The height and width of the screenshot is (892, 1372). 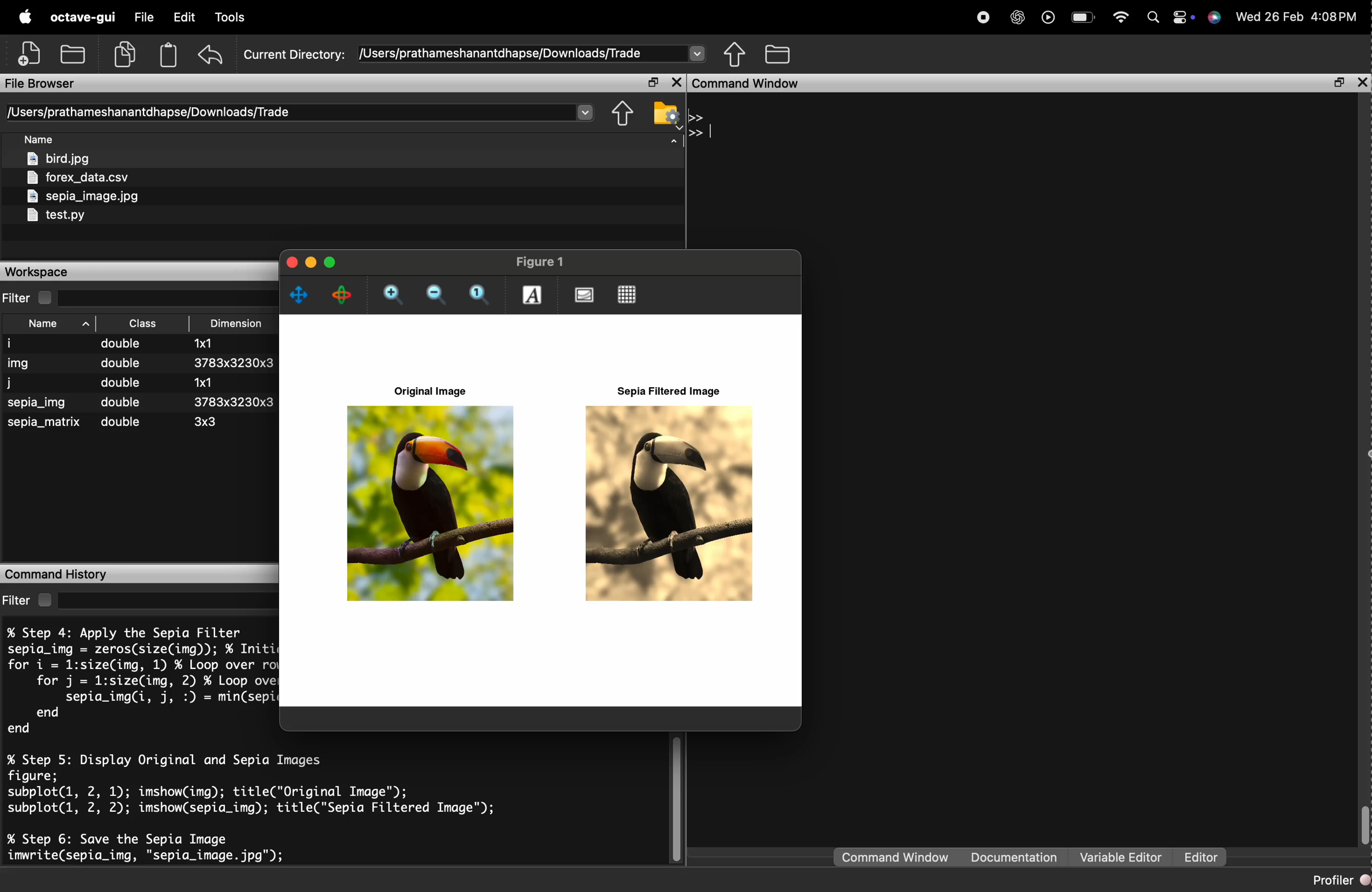 What do you see at coordinates (1294, 18) in the screenshot?
I see `Wed 26 Feb 4:07PM` at bounding box center [1294, 18].